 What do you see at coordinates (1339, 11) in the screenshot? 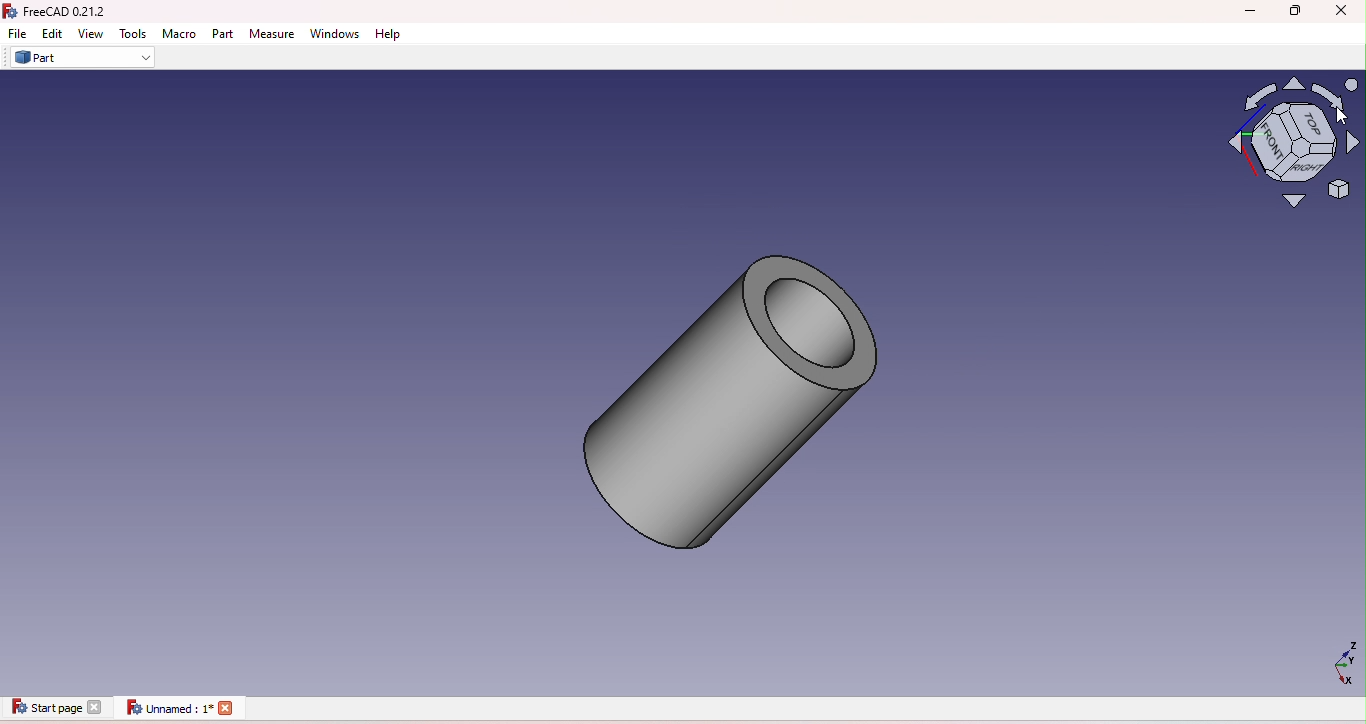
I see `Close` at bounding box center [1339, 11].